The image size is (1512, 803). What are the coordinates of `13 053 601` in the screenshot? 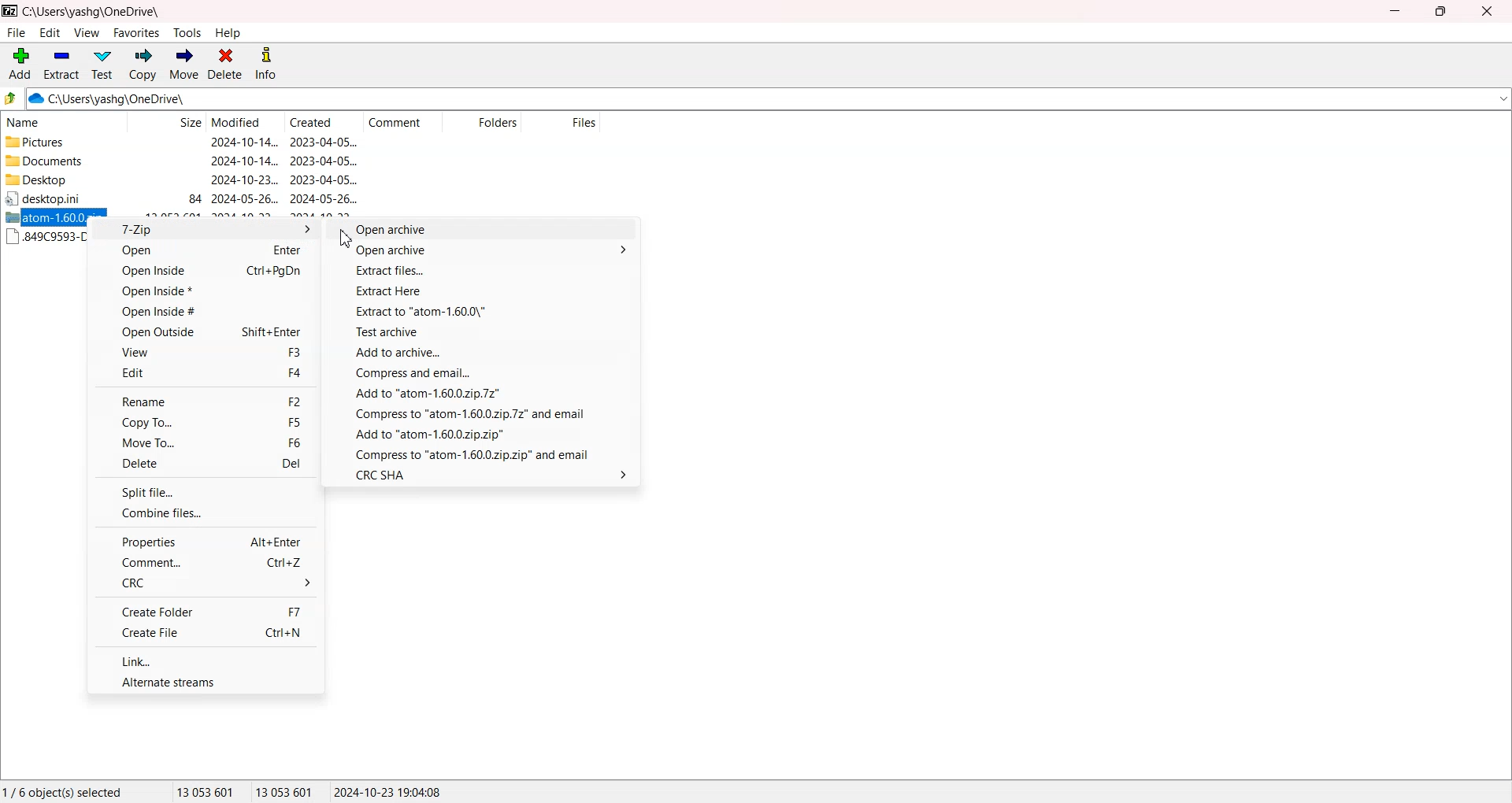 It's located at (206, 791).